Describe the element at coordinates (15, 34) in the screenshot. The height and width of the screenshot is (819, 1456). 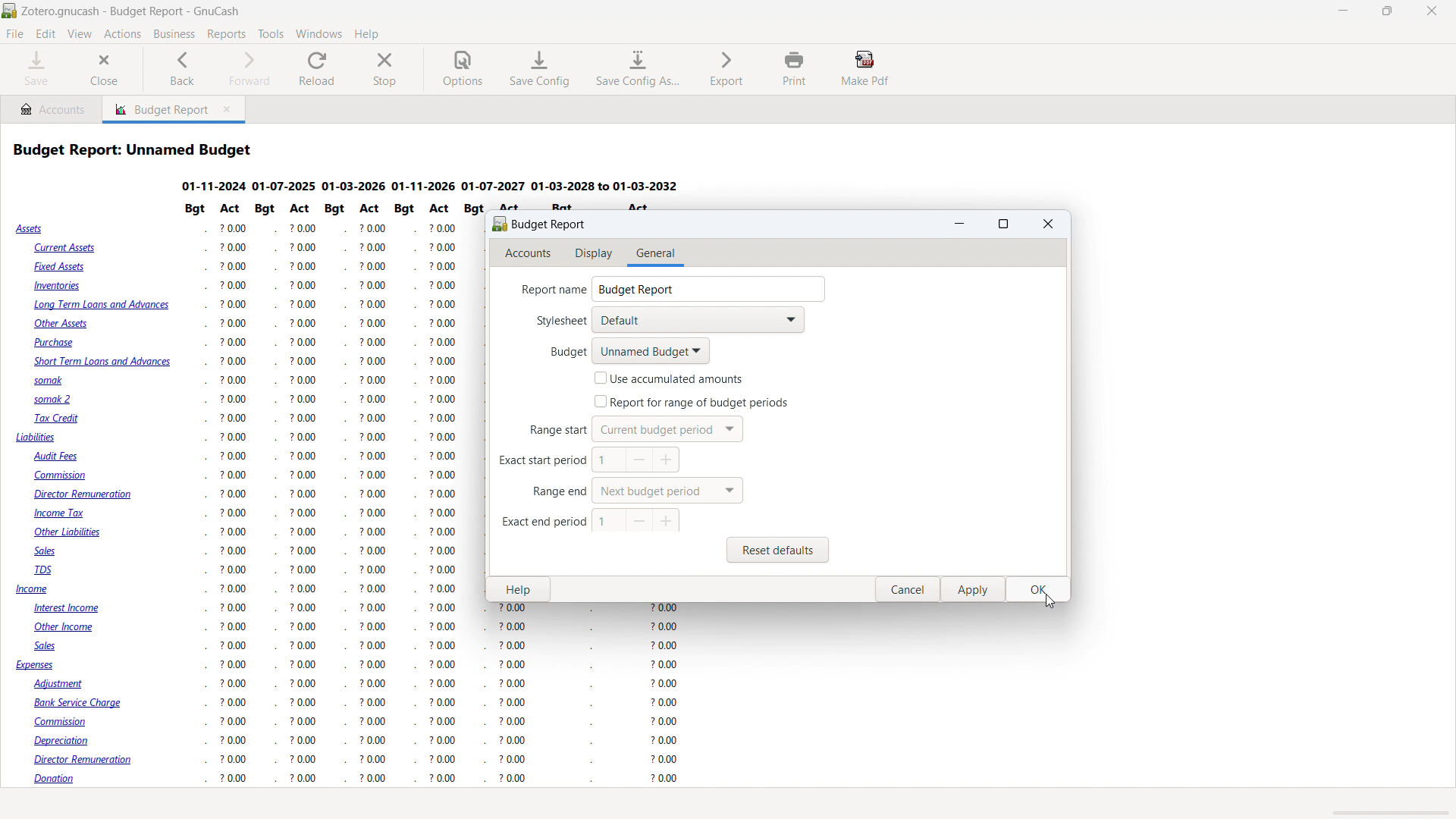
I see `file` at that location.